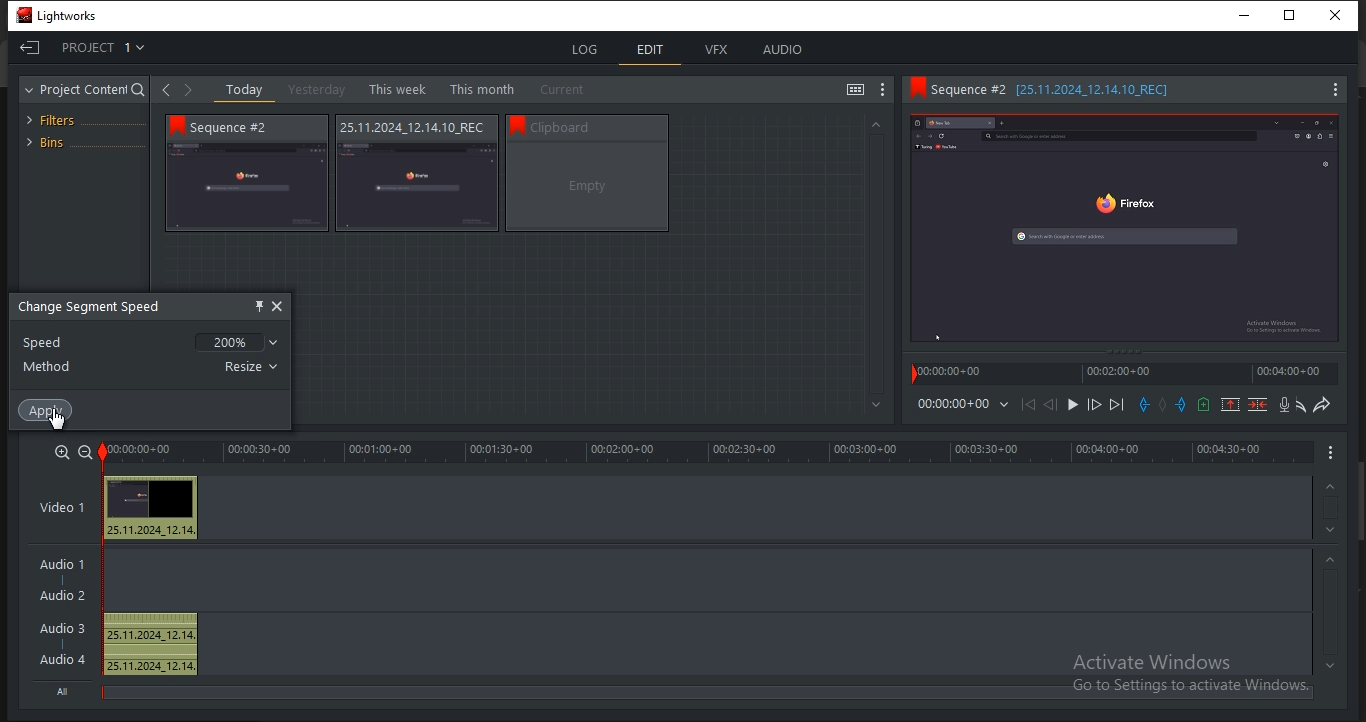 This screenshot has width=1366, height=722. I want to click on yesterday, so click(316, 89).